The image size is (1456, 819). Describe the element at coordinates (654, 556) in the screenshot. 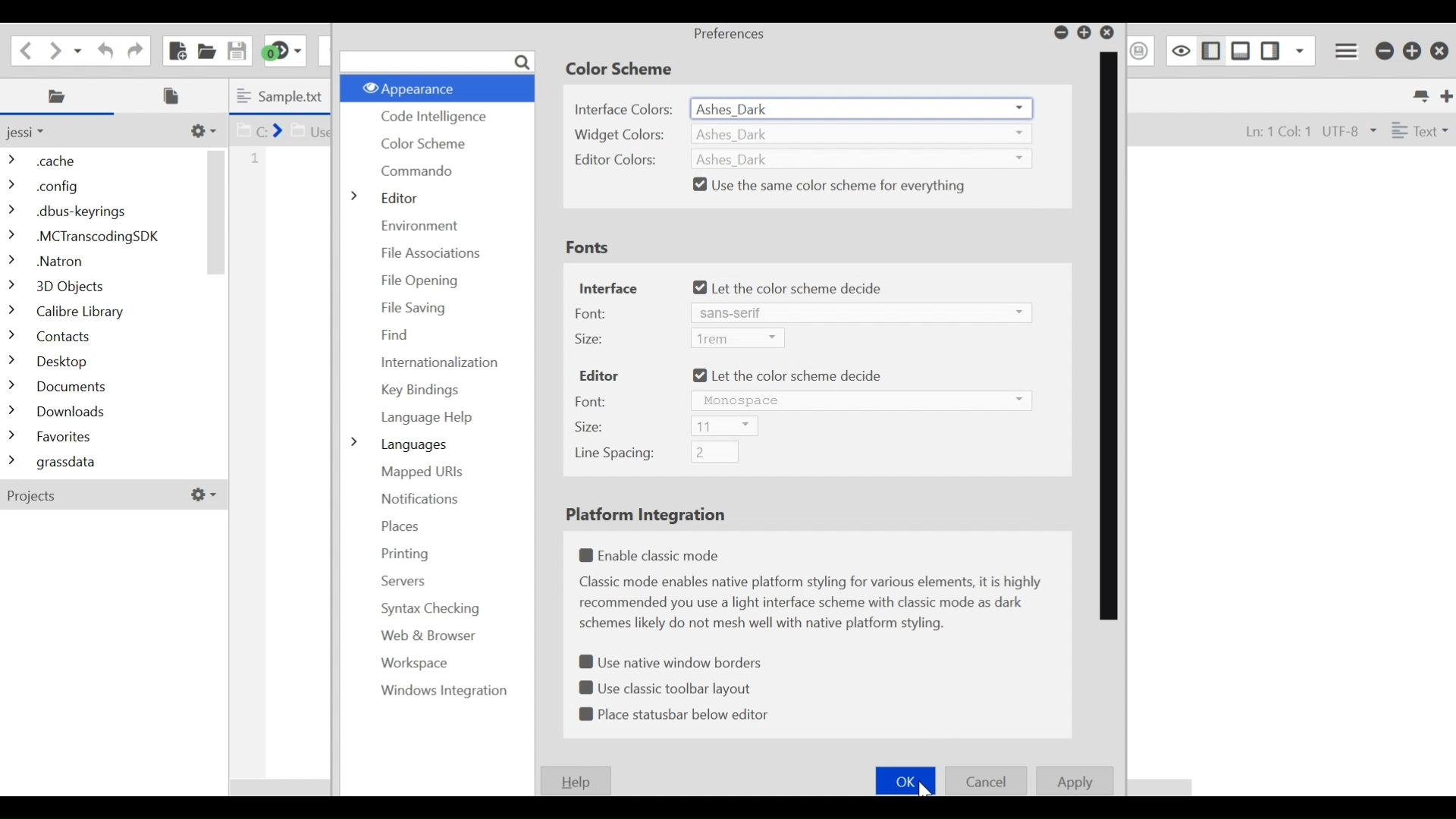

I see `(un)select Enable classic mode` at that location.